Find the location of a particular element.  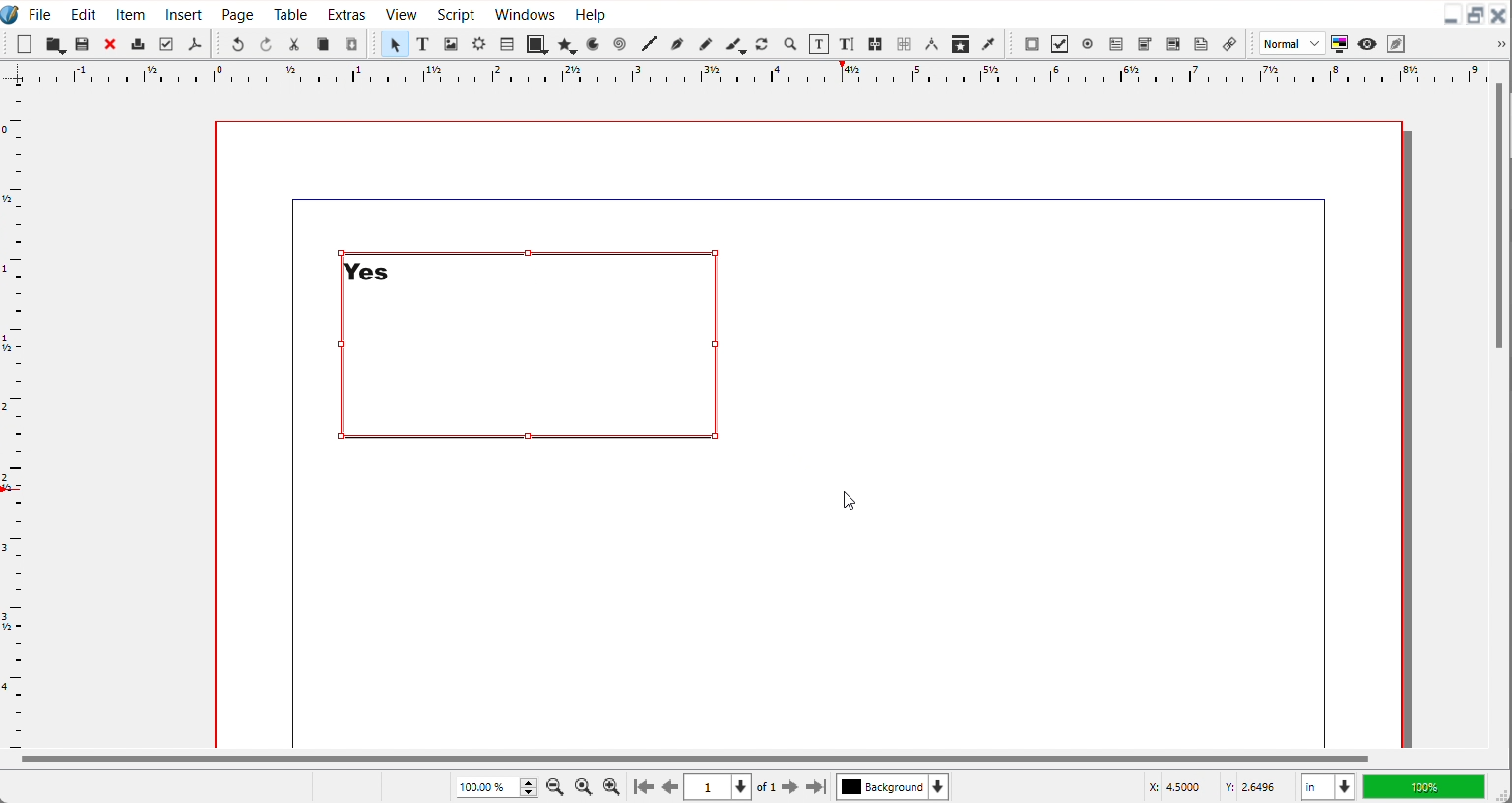

Select item is located at coordinates (394, 43).